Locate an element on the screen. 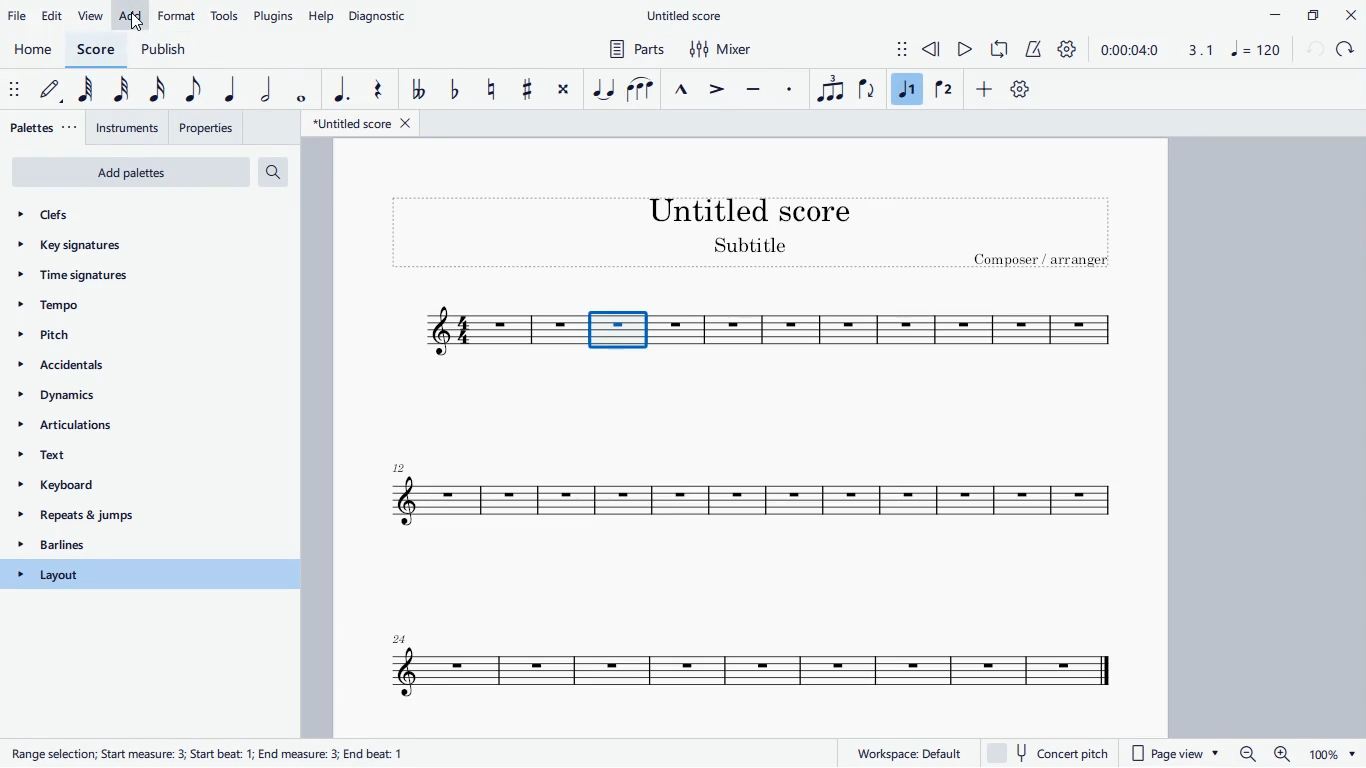  text is located at coordinates (141, 459).